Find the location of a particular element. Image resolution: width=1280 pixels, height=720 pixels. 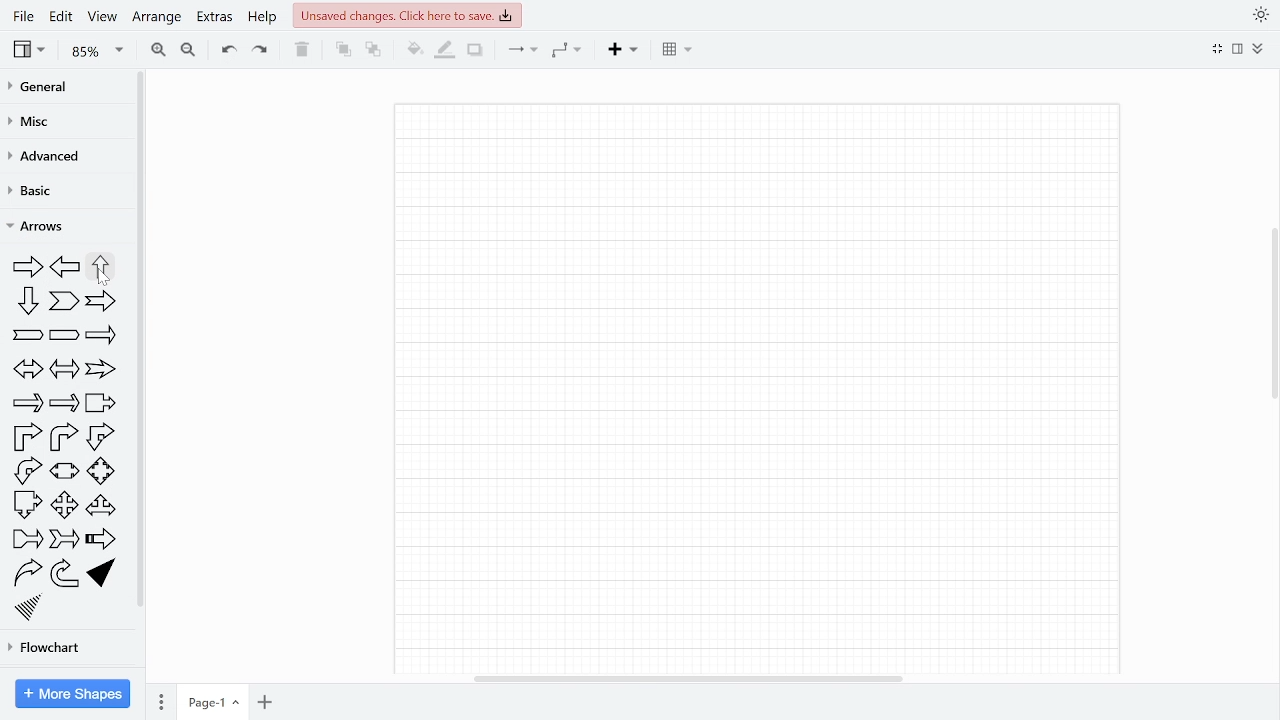

Appearence is located at coordinates (1257, 16).